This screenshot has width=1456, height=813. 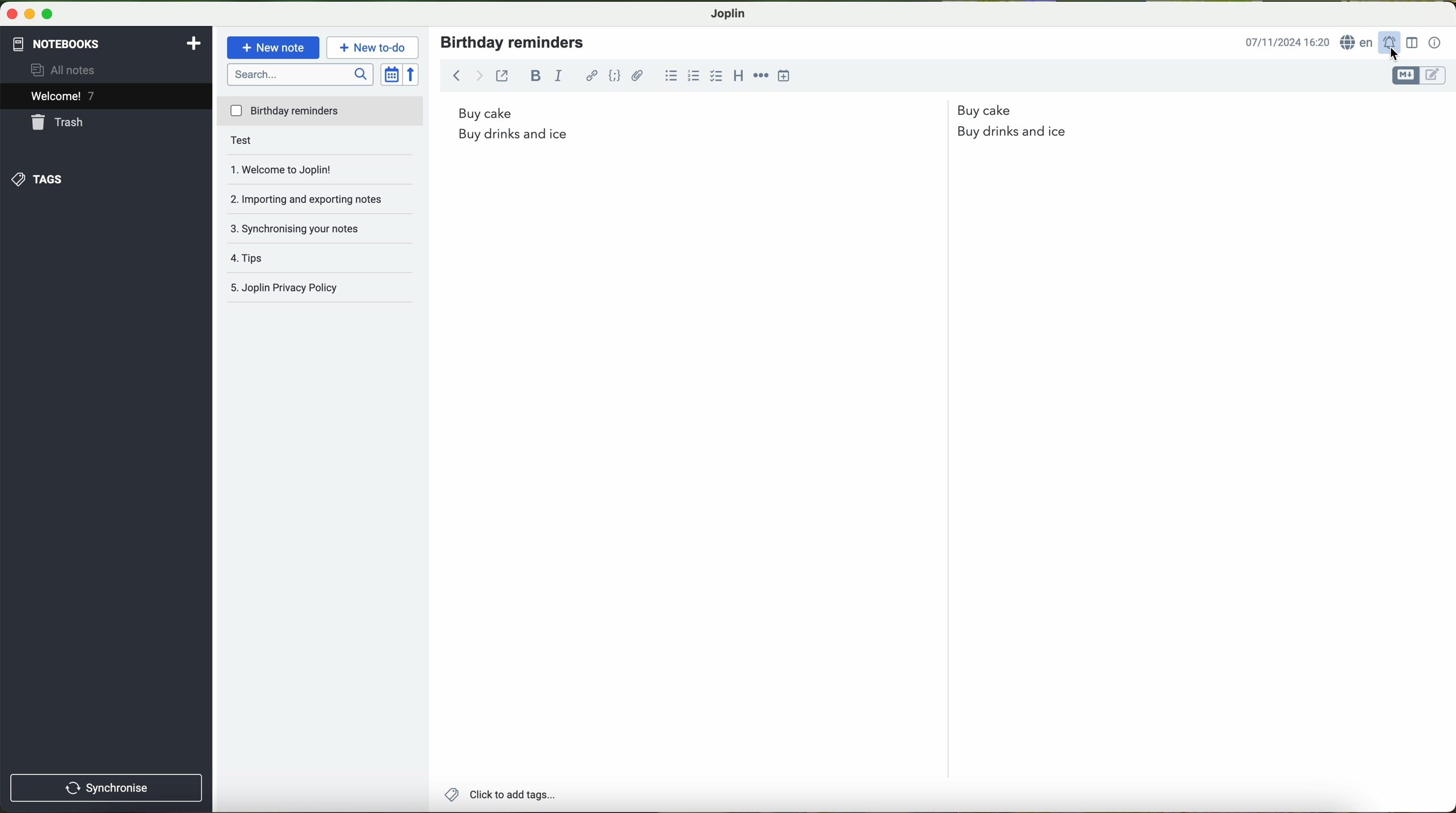 What do you see at coordinates (1359, 44) in the screenshot?
I see `language` at bounding box center [1359, 44].